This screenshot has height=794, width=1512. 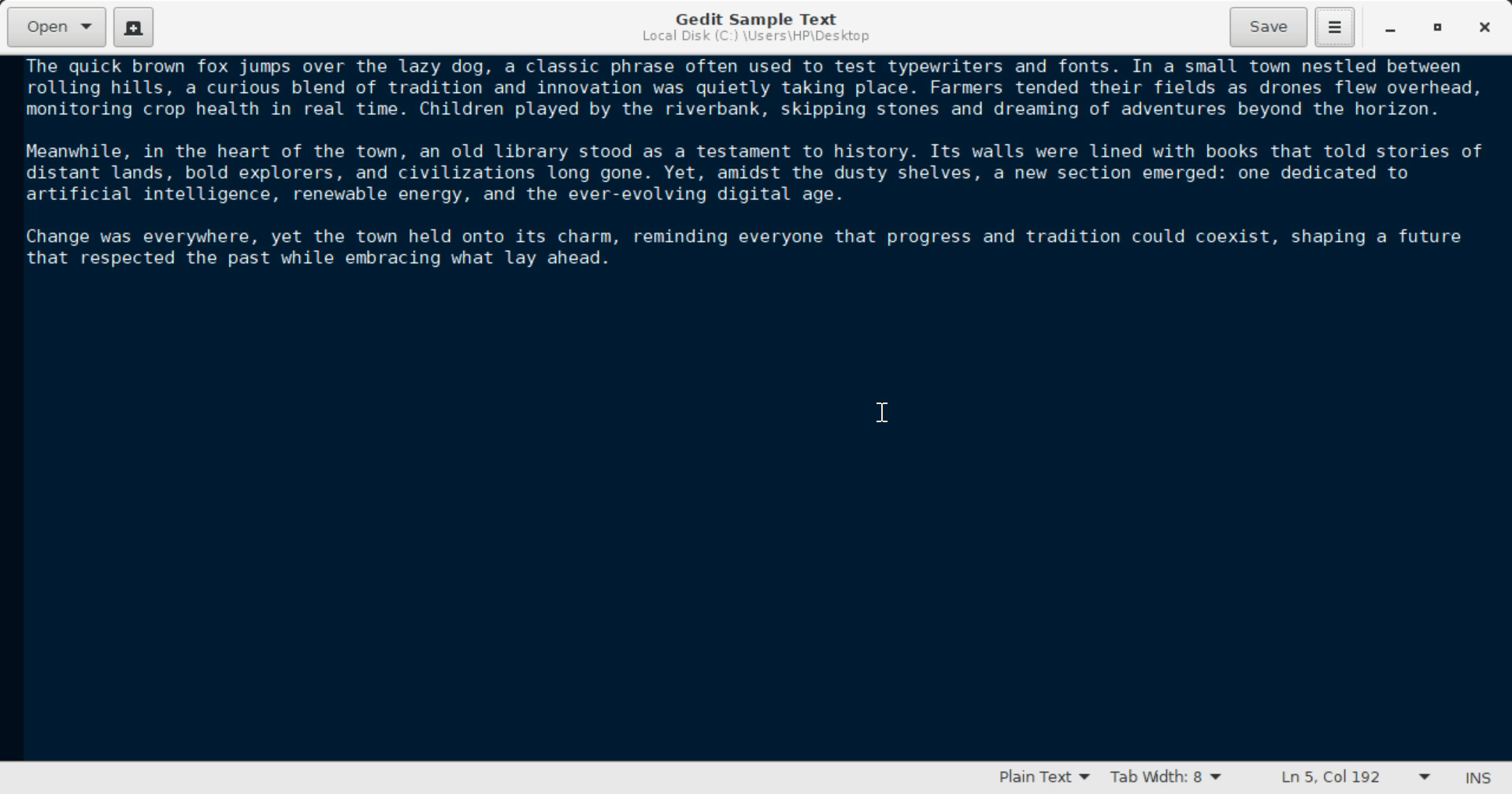 I want to click on Create Documents, so click(x=134, y=25).